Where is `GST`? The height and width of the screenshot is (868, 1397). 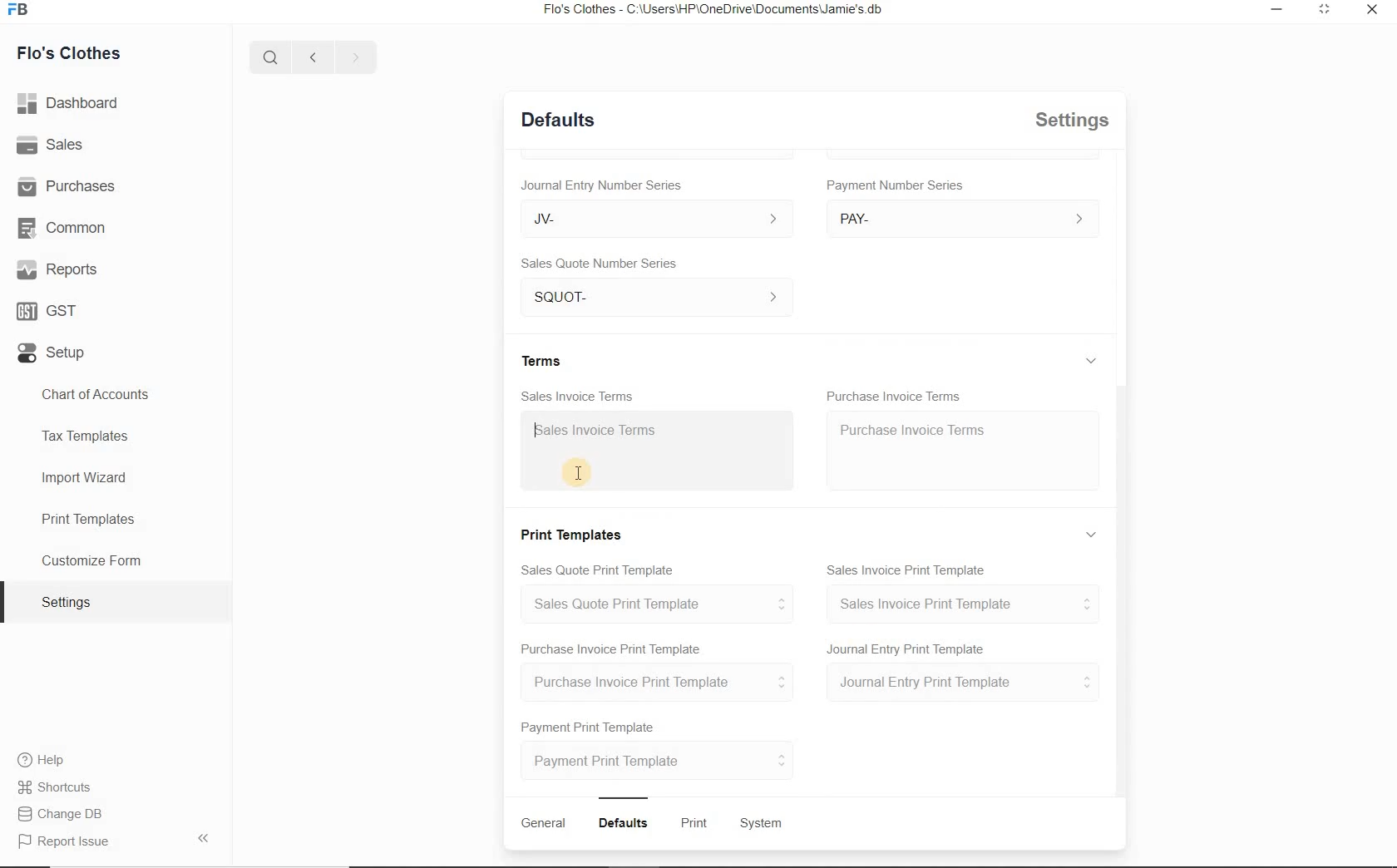
GST is located at coordinates (48, 311).